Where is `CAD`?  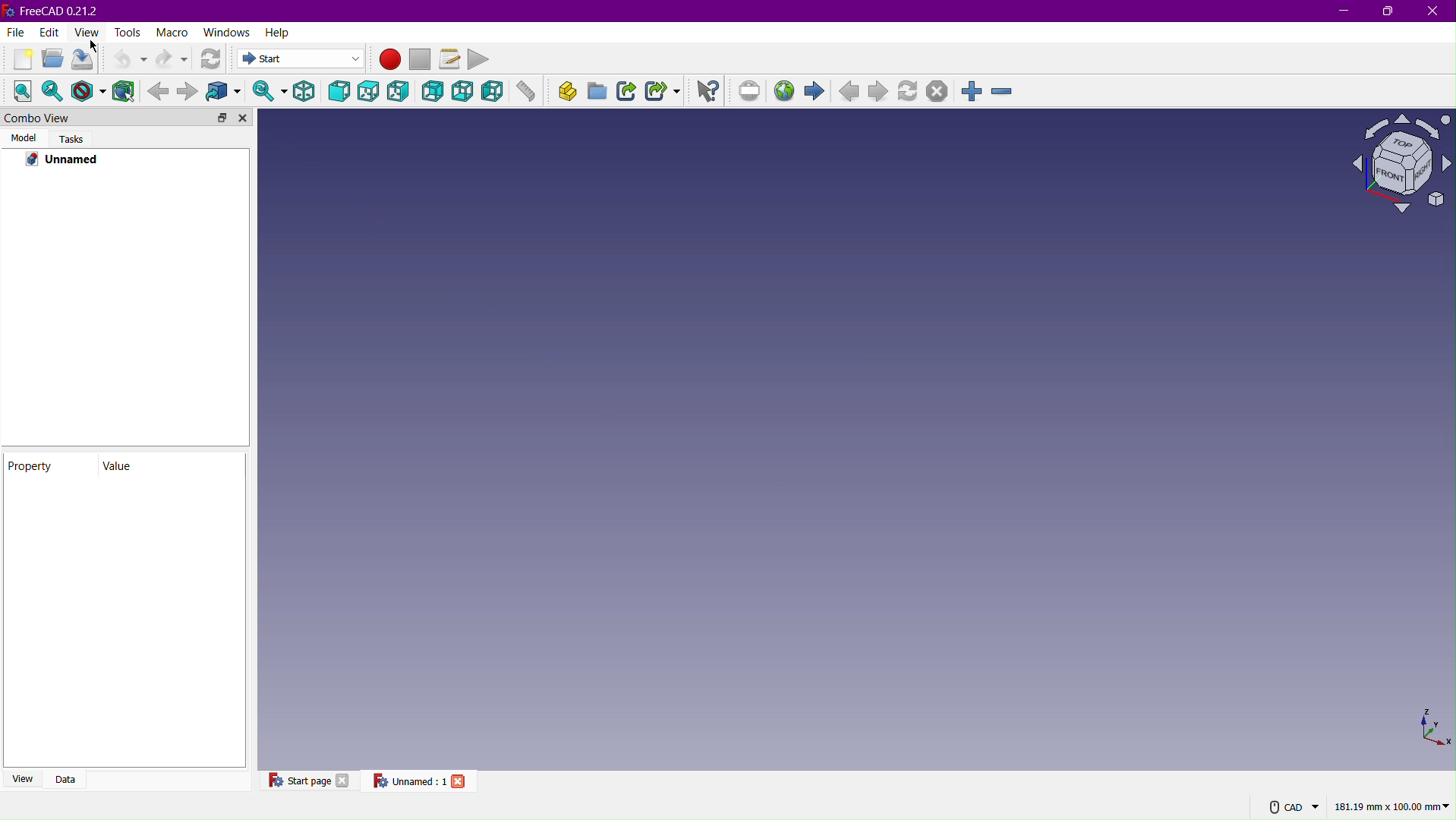 CAD is located at coordinates (1289, 806).